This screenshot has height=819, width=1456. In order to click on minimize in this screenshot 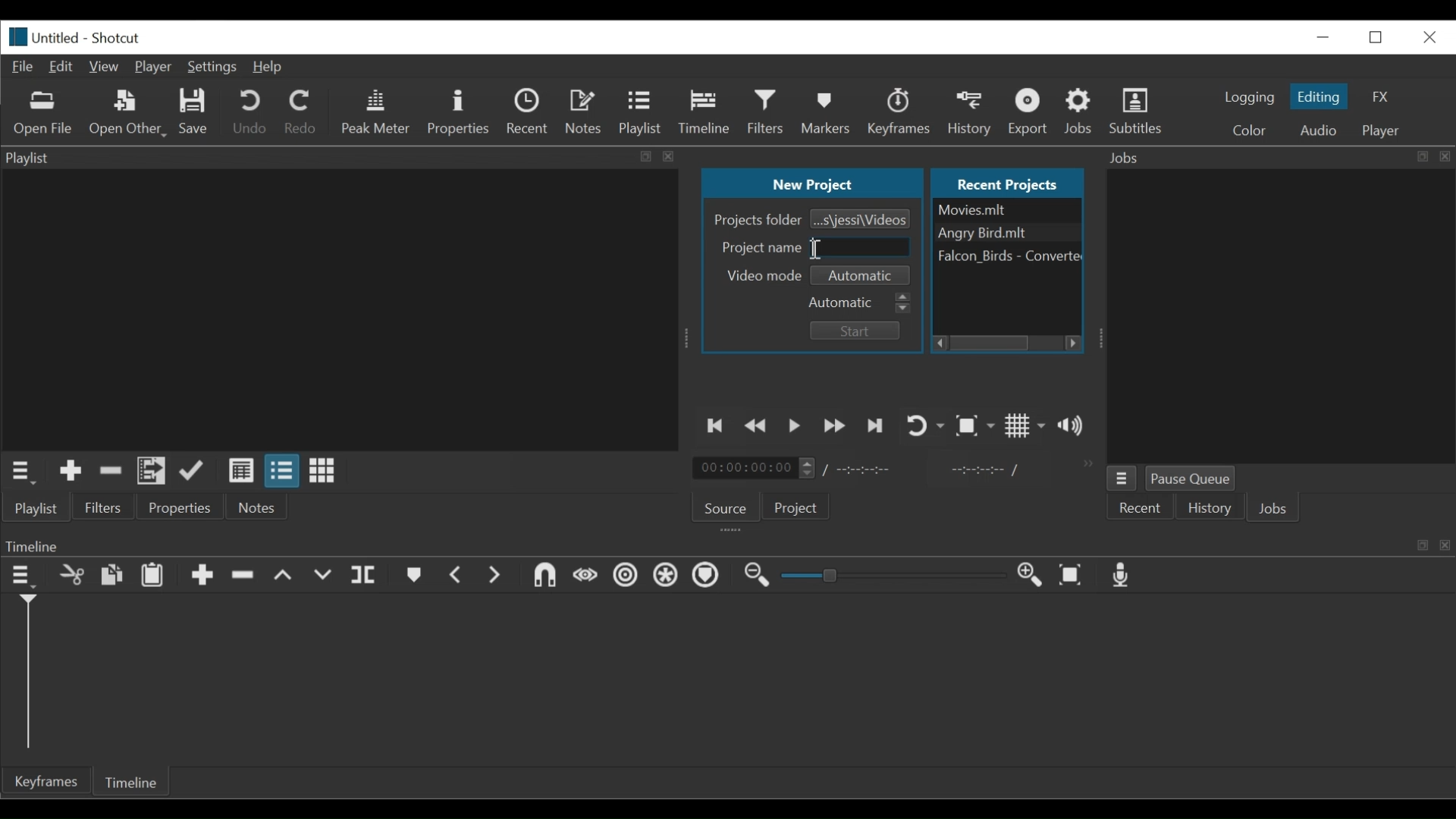, I will do `click(1322, 37)`.